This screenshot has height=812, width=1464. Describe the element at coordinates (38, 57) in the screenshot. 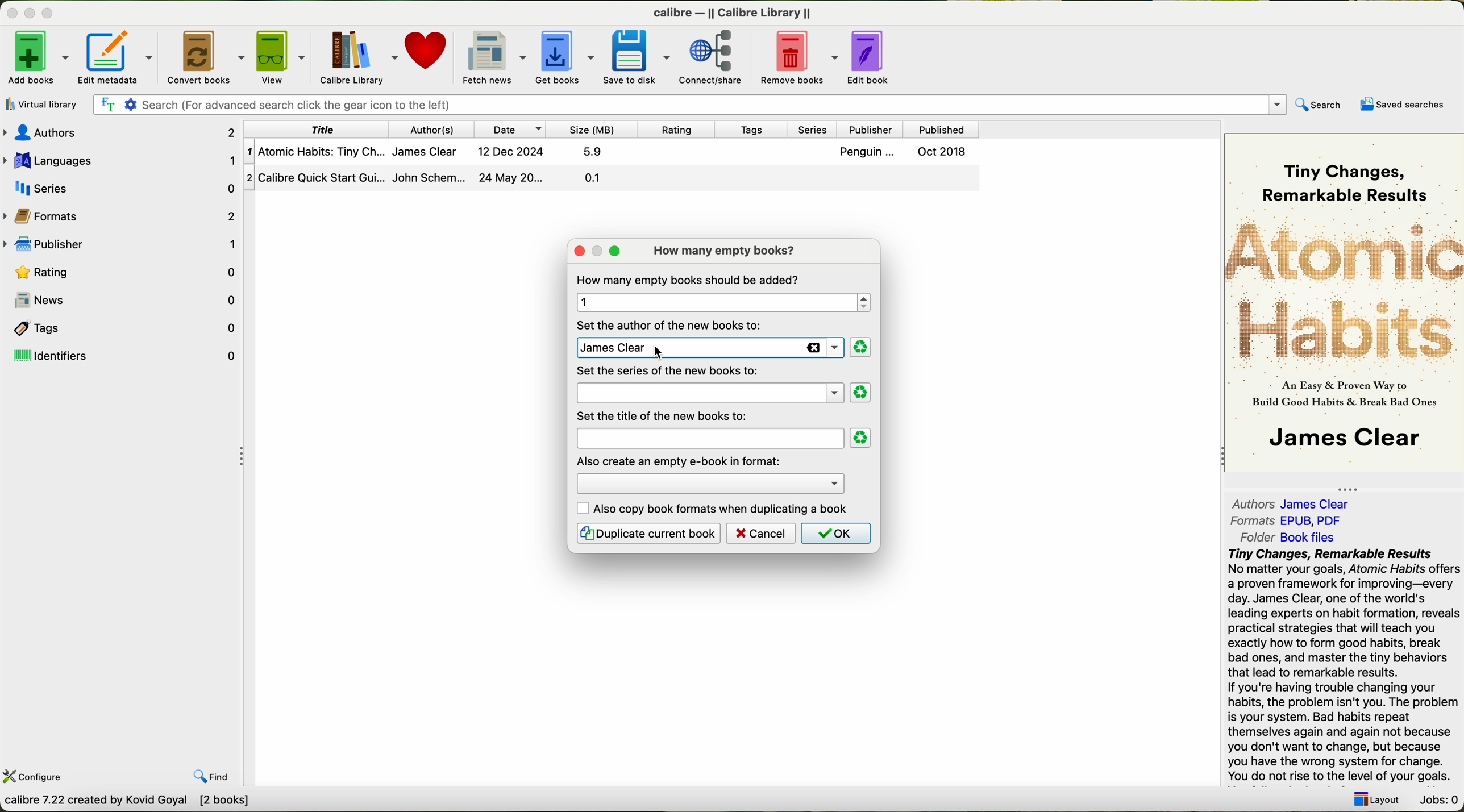

I see `click on add books options` at that location.